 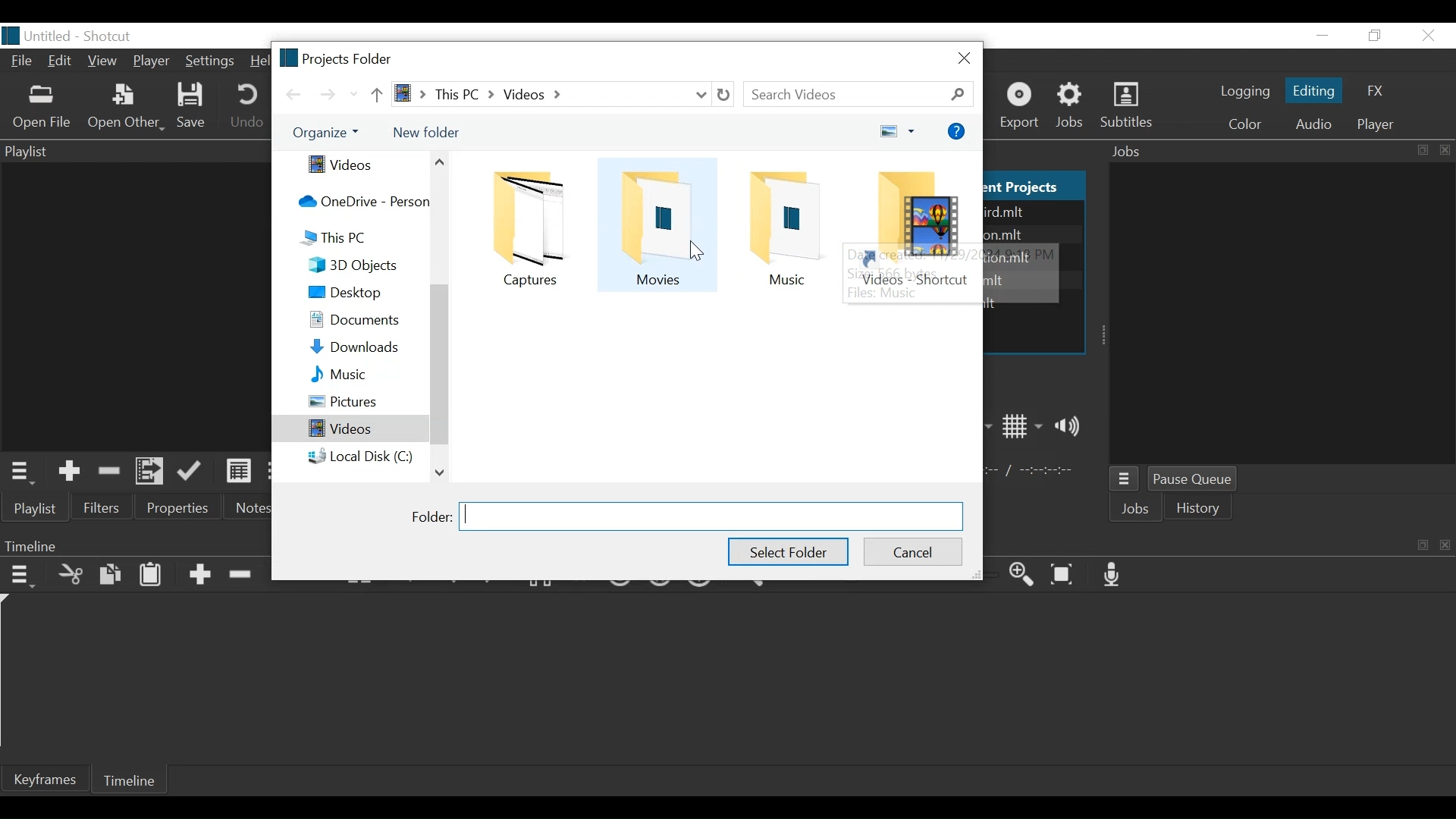 What do you see at coordinates (1284, 314) in the screenshot?
I see `Jobs Panel` at bounding box center [1284, 314].